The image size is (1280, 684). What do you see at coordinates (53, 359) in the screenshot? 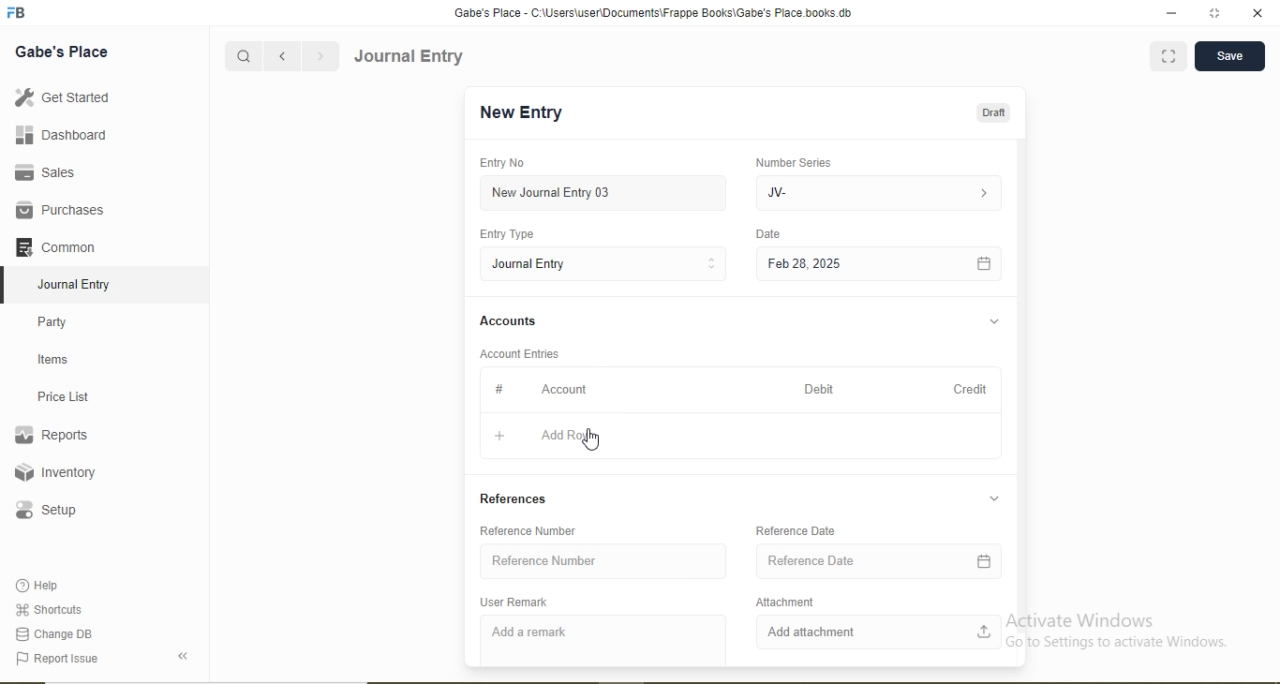
I see `Items` at bounding box center [53, 359].